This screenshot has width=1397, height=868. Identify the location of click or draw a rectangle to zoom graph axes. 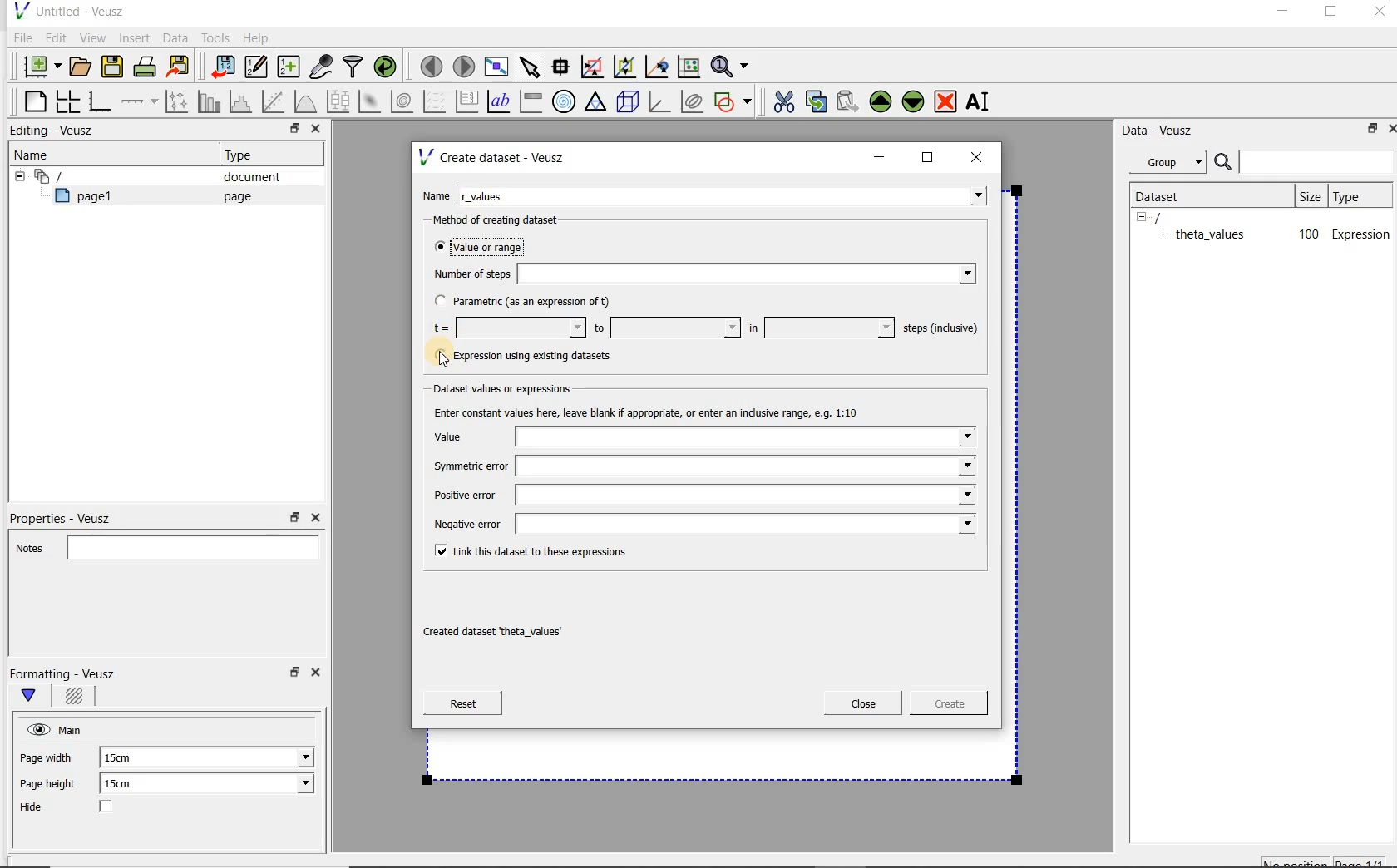
(595, 67).